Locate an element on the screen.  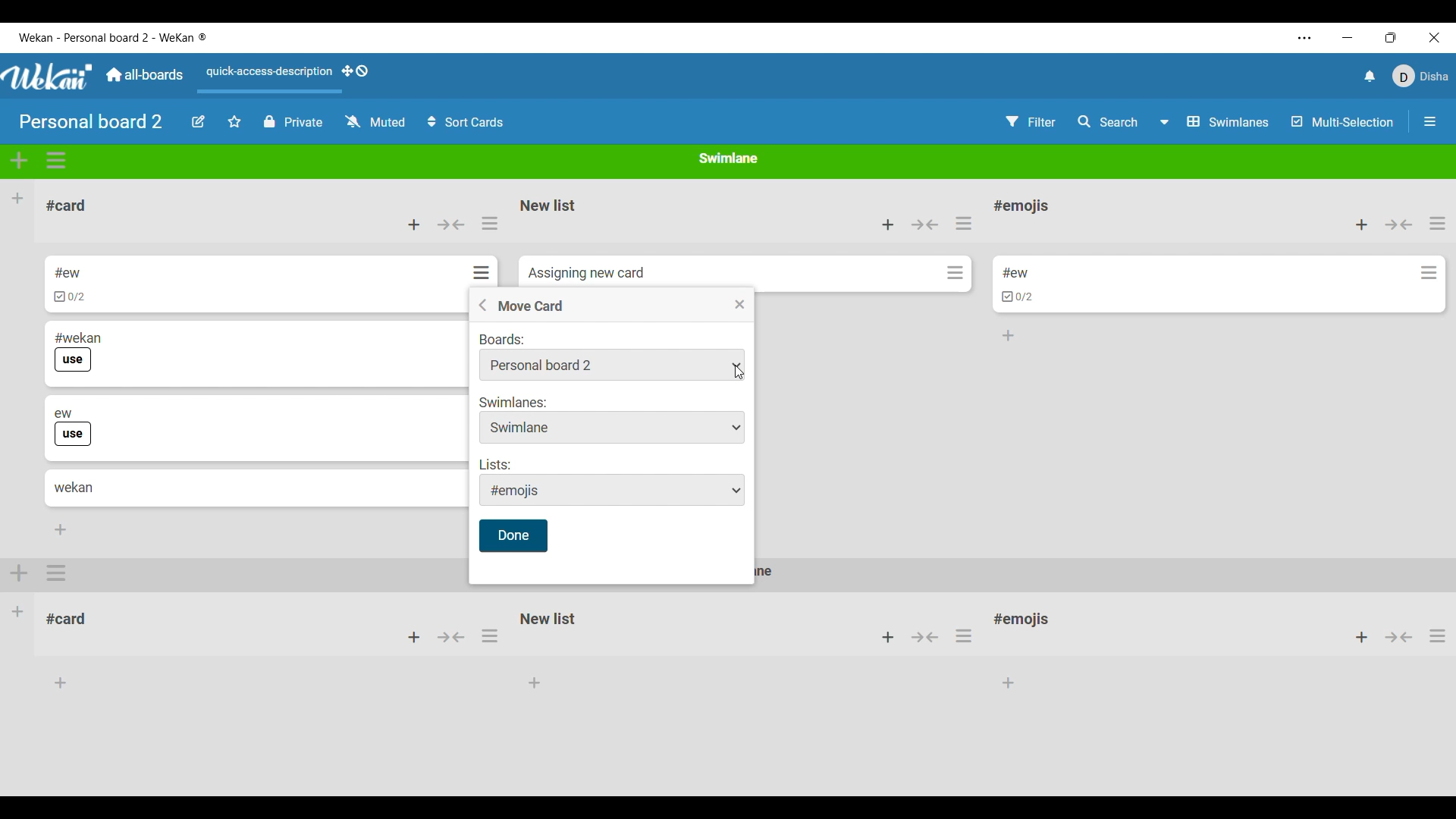
Change tab dimension is located at coordinates (1391, 37).